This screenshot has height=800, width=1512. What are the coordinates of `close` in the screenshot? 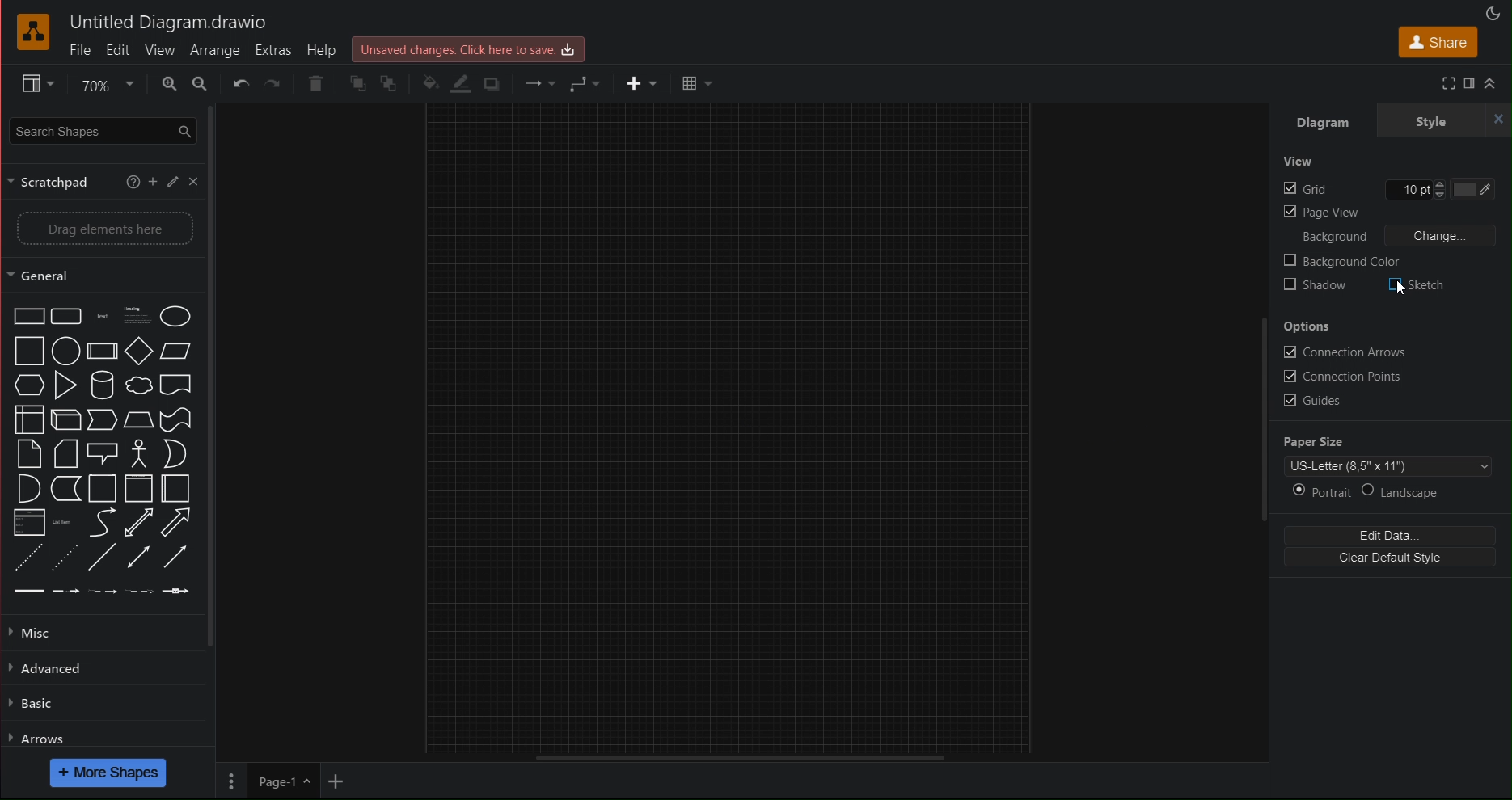 It's located at (1497, 122).